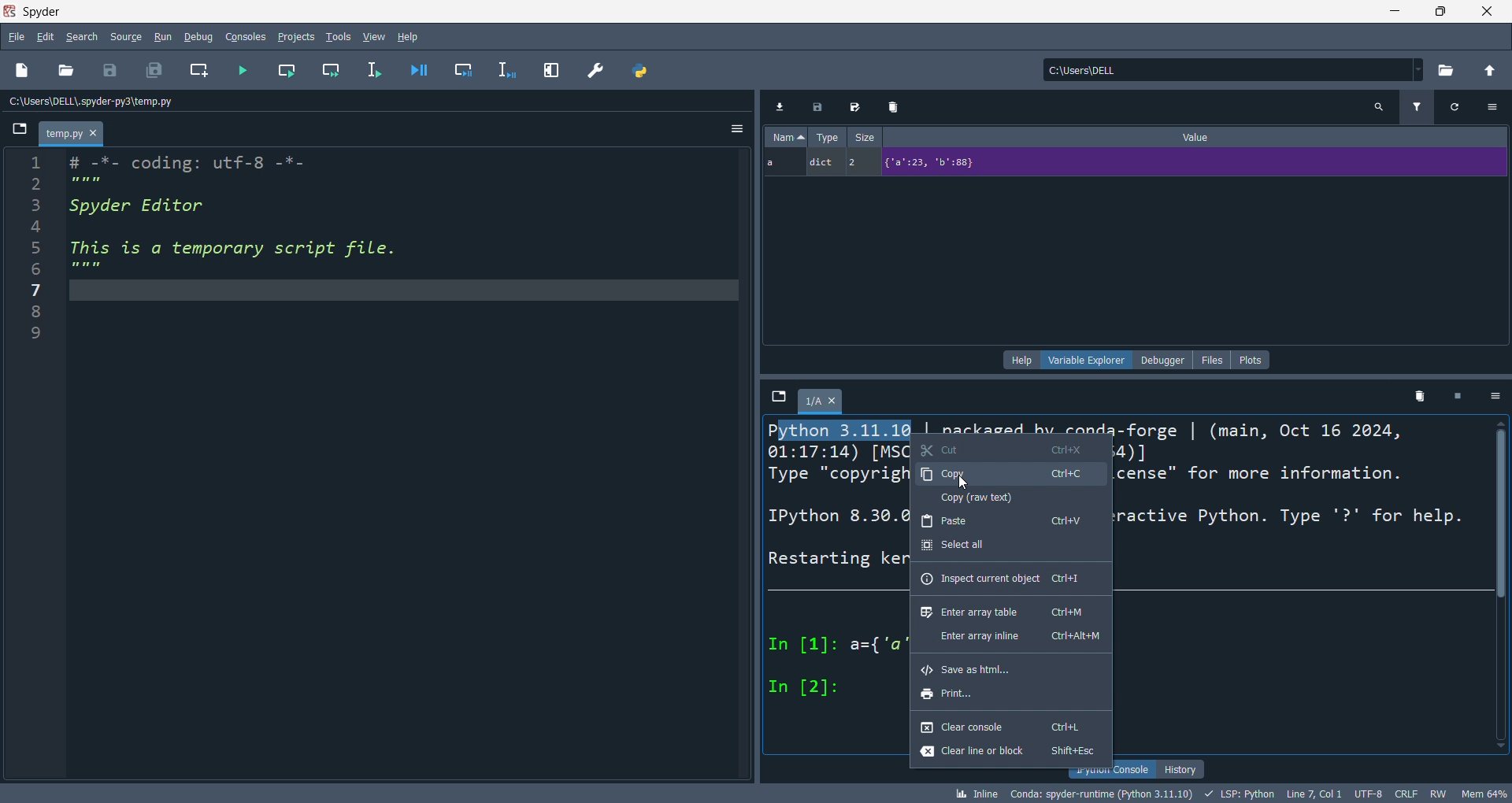 The height and width of the screenshot is (803, 1512). Describe the element at coordinates (1009, 697) in the screenshot. I see `print` at that location.